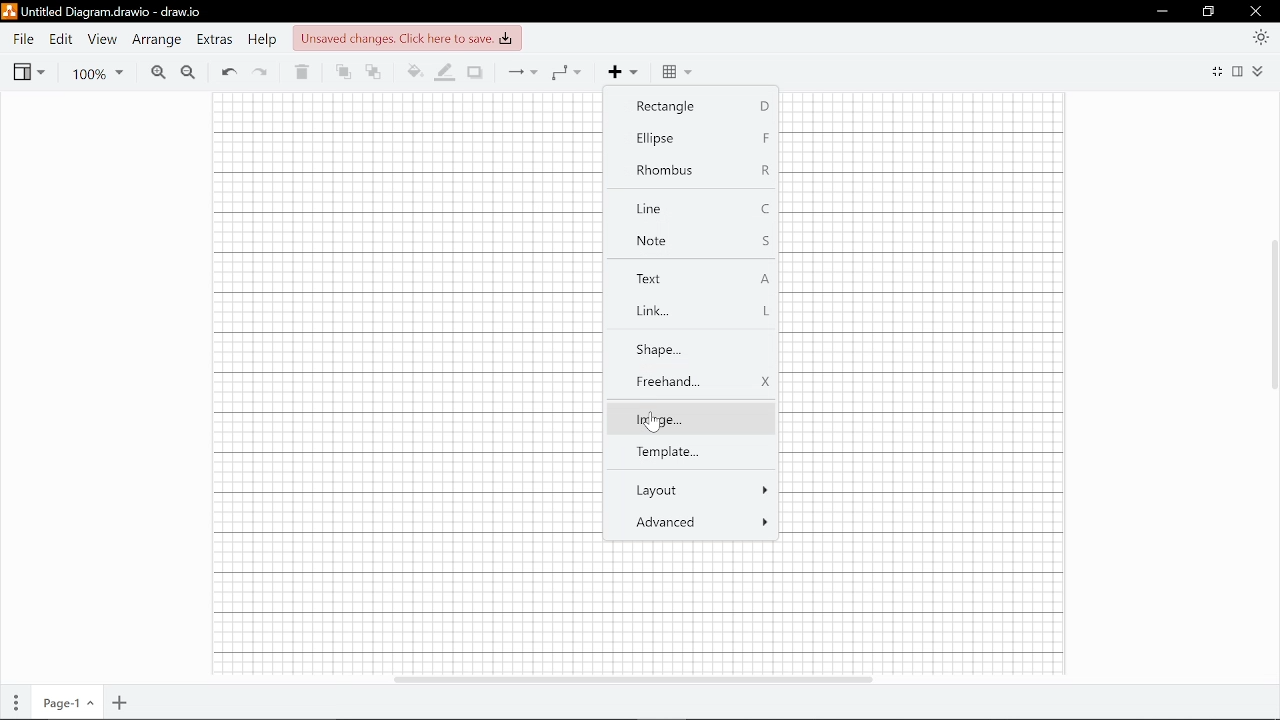 This screenshot has height=720, width=1280. Describe the element at coordinates (443, 74) in the screenshot. I see `Fill line` at that location.